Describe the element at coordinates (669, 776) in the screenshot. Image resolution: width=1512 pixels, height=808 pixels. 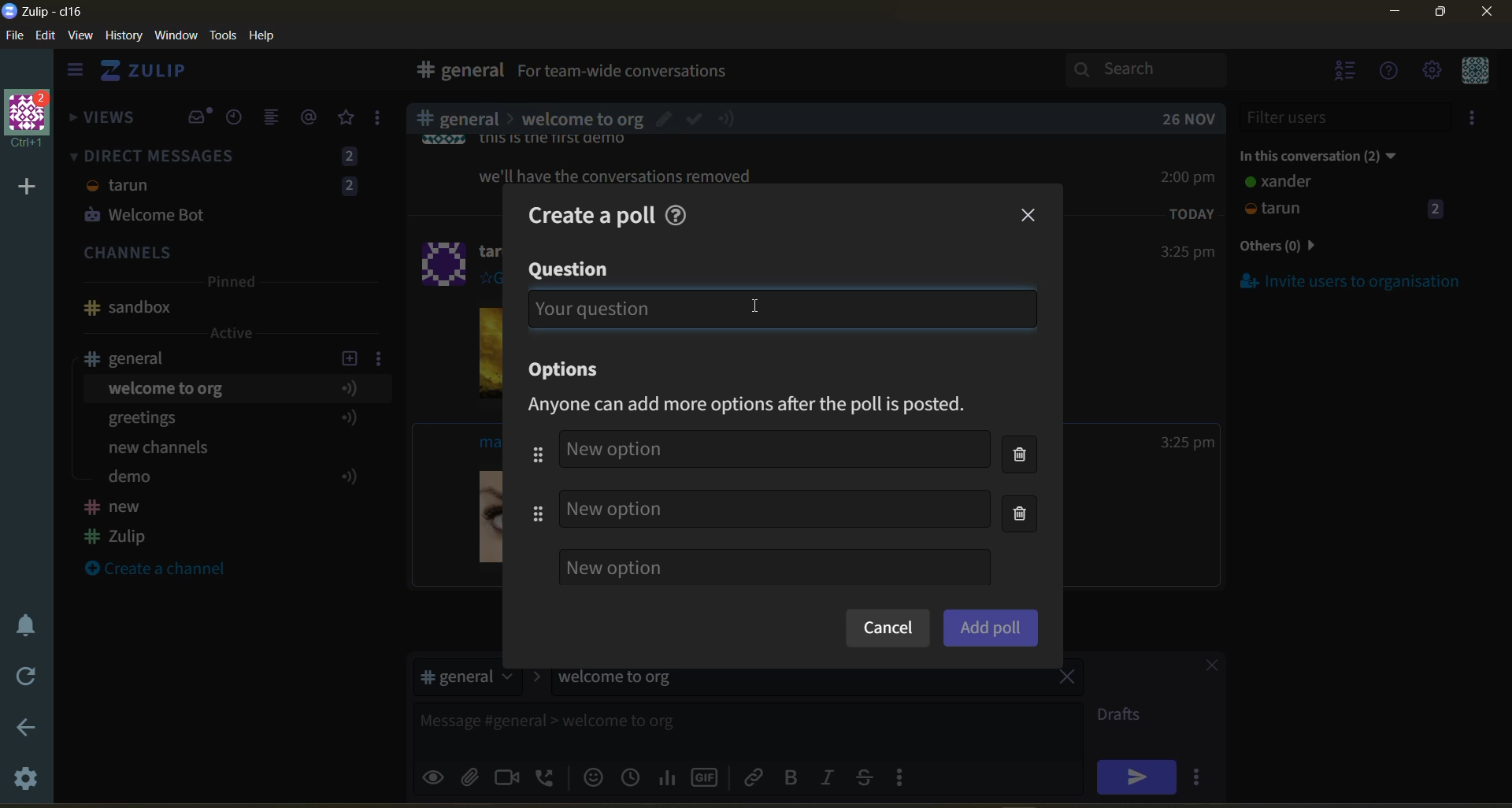
I see `poll` at that location.